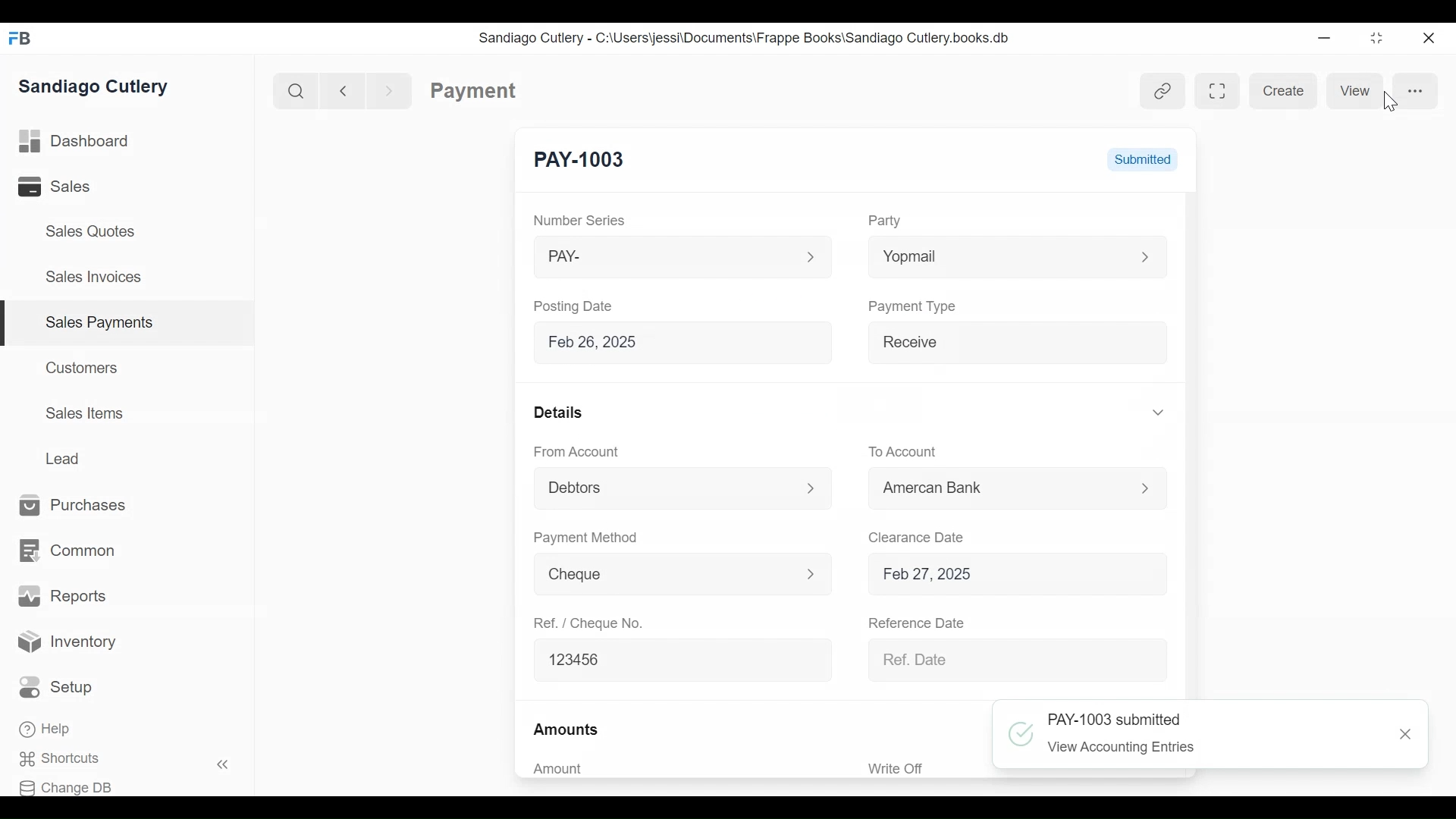 Image resolution: width=1456 pixels, height=819 pixels. Describe the element at coordinates (96, 86) in the screenshot. I see `Sandiago Cutlery` at that location.